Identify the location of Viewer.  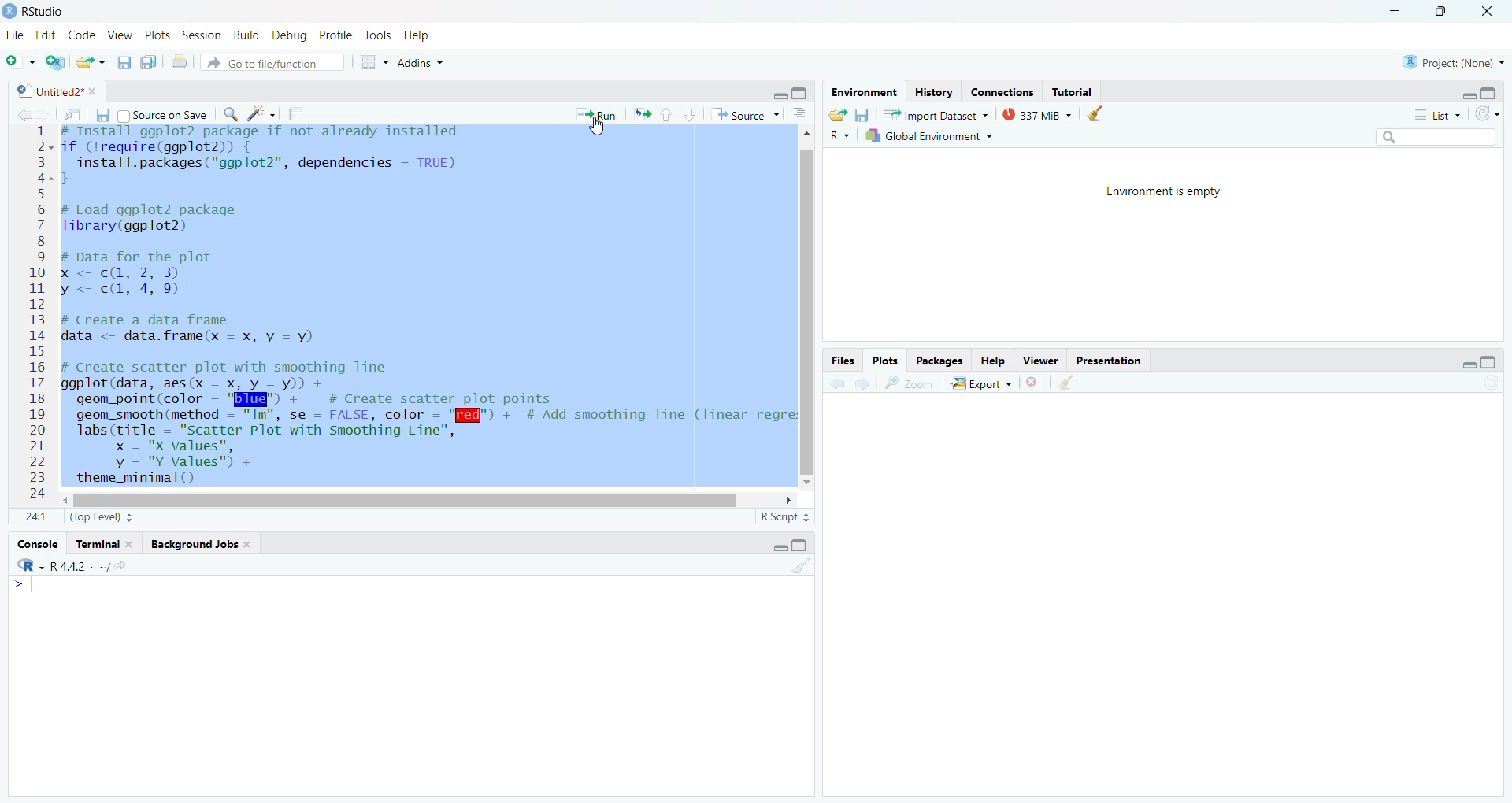
(1040, 360).